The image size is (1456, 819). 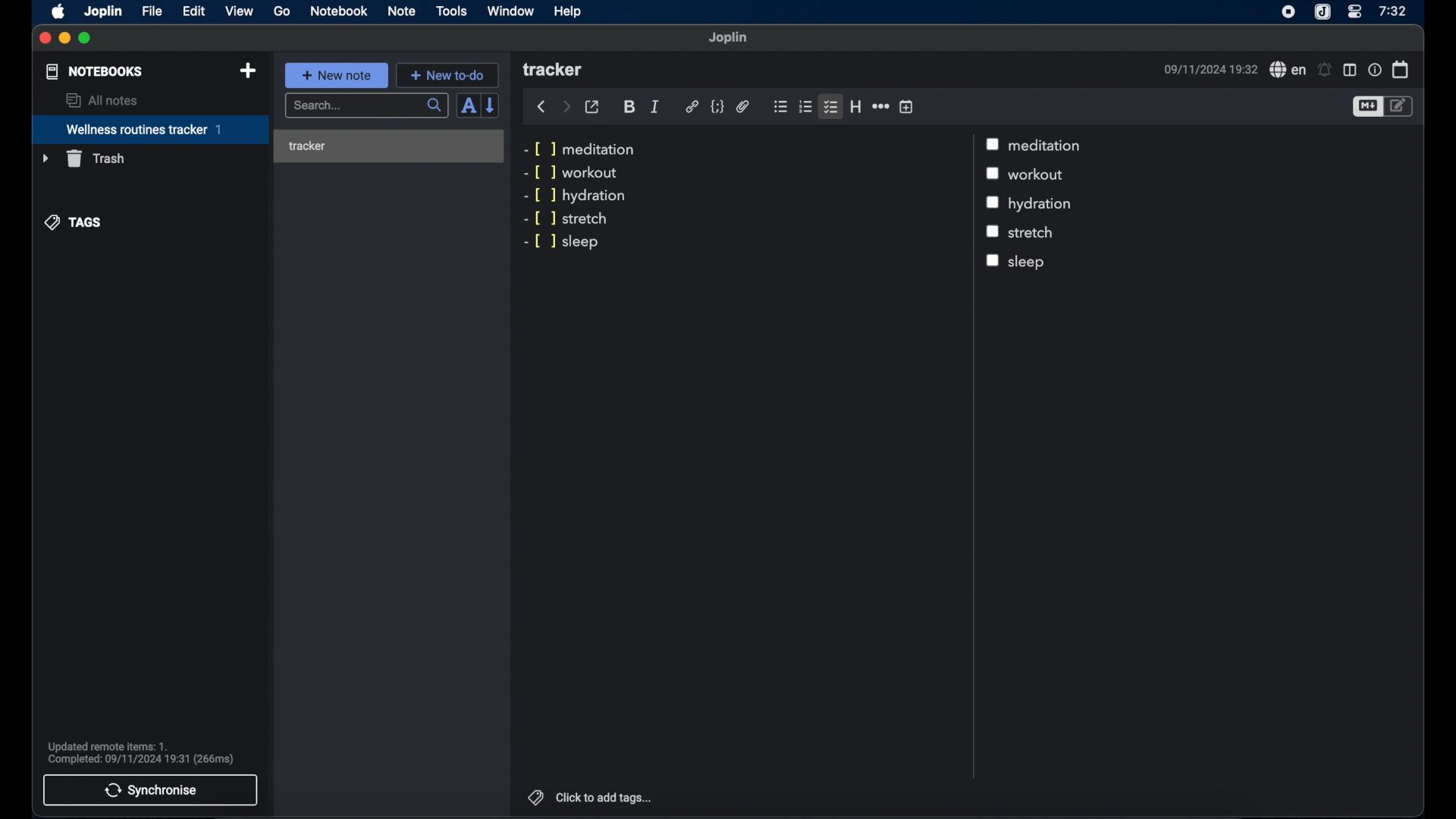 I want to click on horizontal rule, so click(x=880, y=106).